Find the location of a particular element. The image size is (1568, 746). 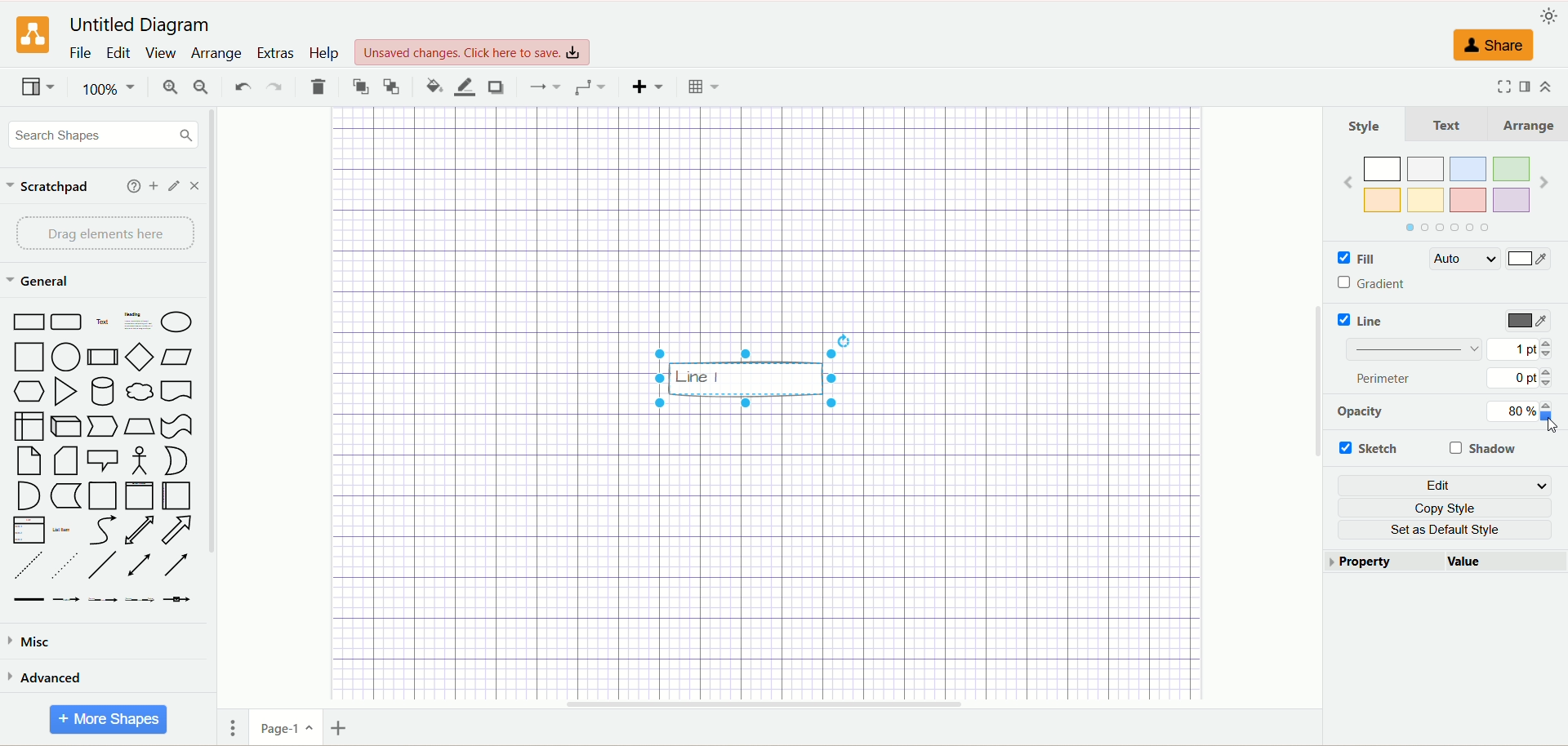

insert is located at coordinates (644, 87).